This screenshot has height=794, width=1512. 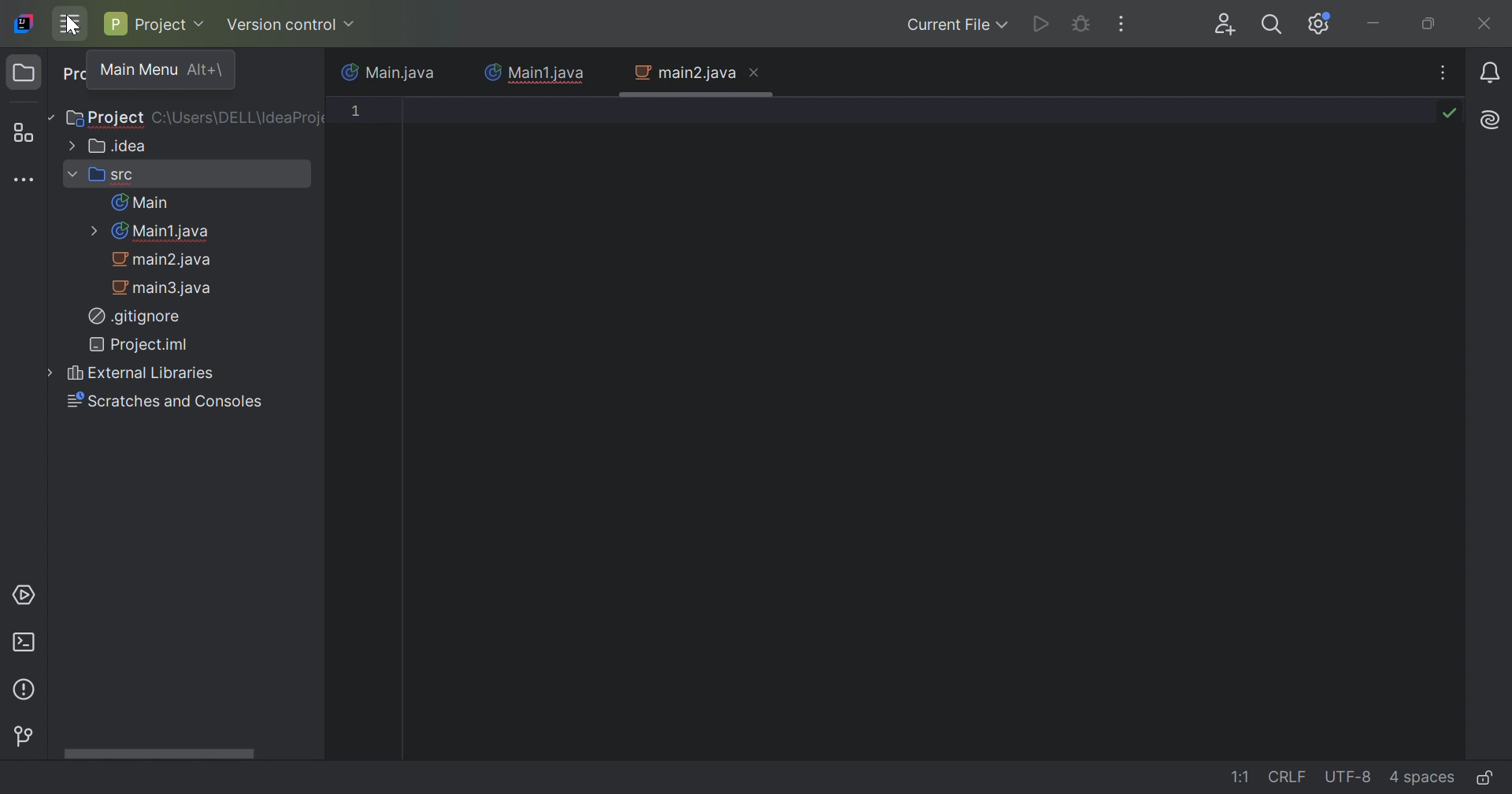 What do you see at coordinates (206, 72) in the screenshot?
I see `Alt+\` at bounding box center [206, 72].